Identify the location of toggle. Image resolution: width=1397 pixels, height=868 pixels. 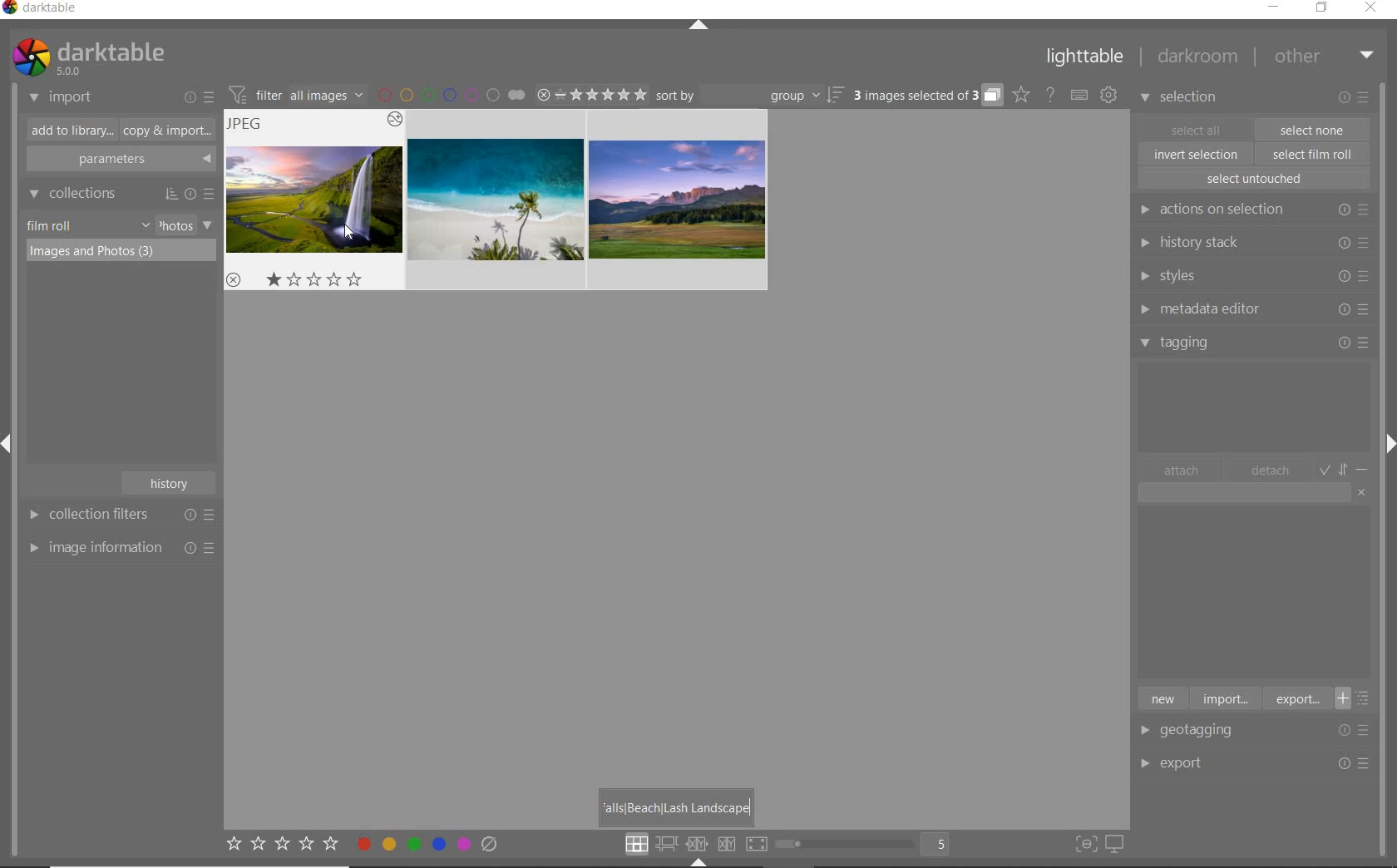
(1345, 468).